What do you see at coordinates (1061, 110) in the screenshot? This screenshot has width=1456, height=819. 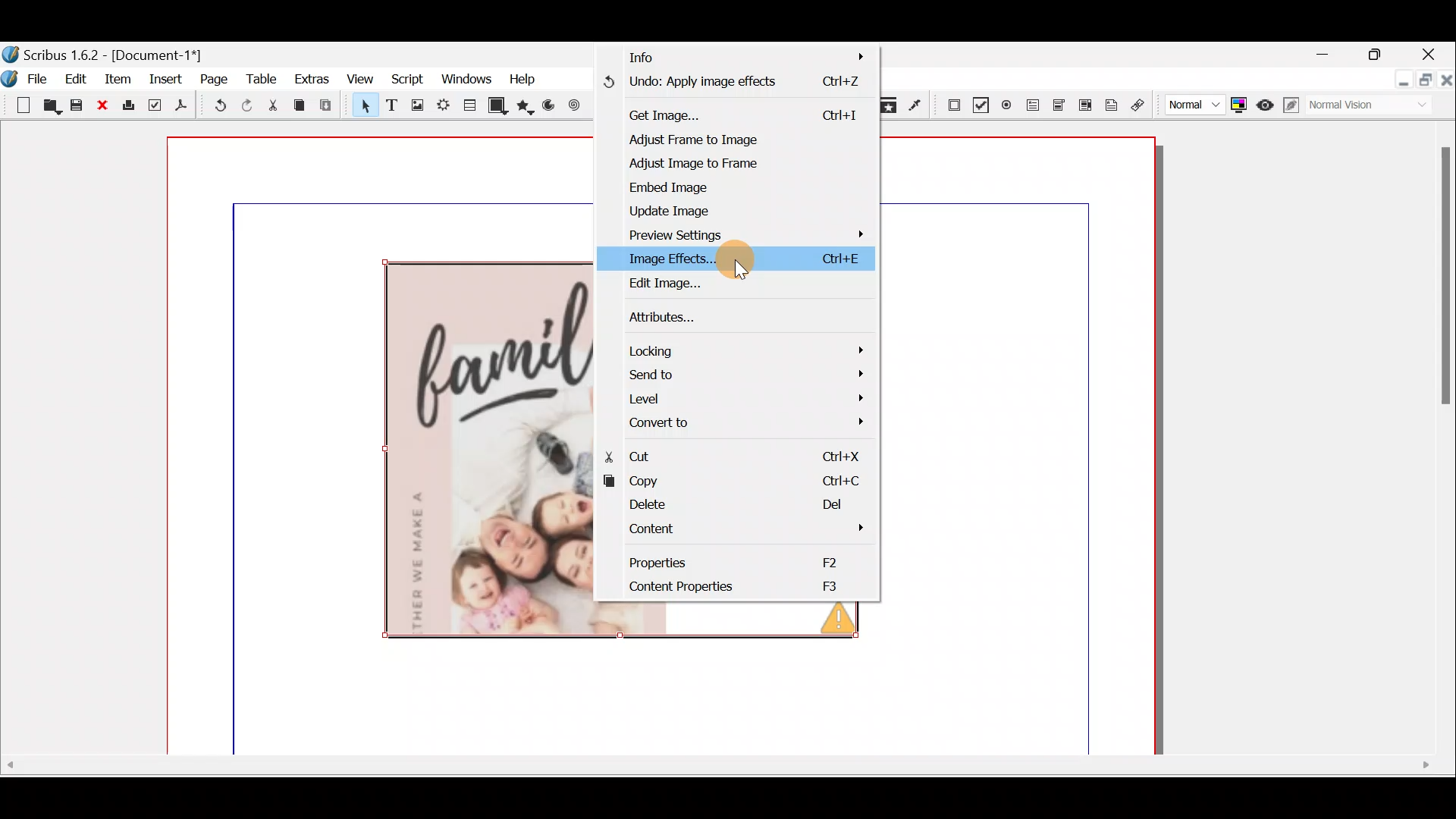 I see `PDF combo box` at bounding box center [1061, 110].